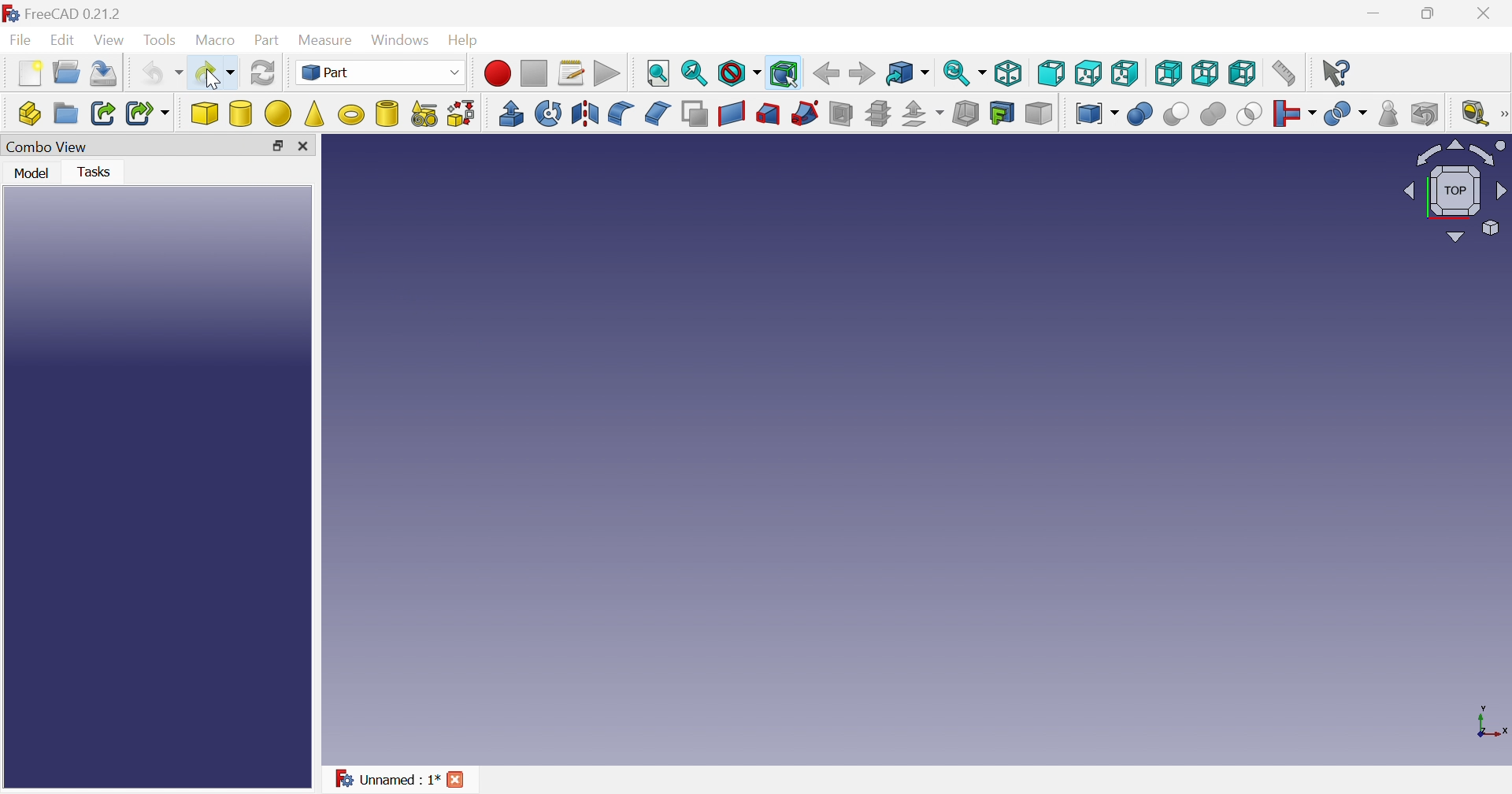 This screenshot has width=1512, height=794. Describe the element at coordinates (50, 146) in the screenshot. I see `Combo View` at that location.